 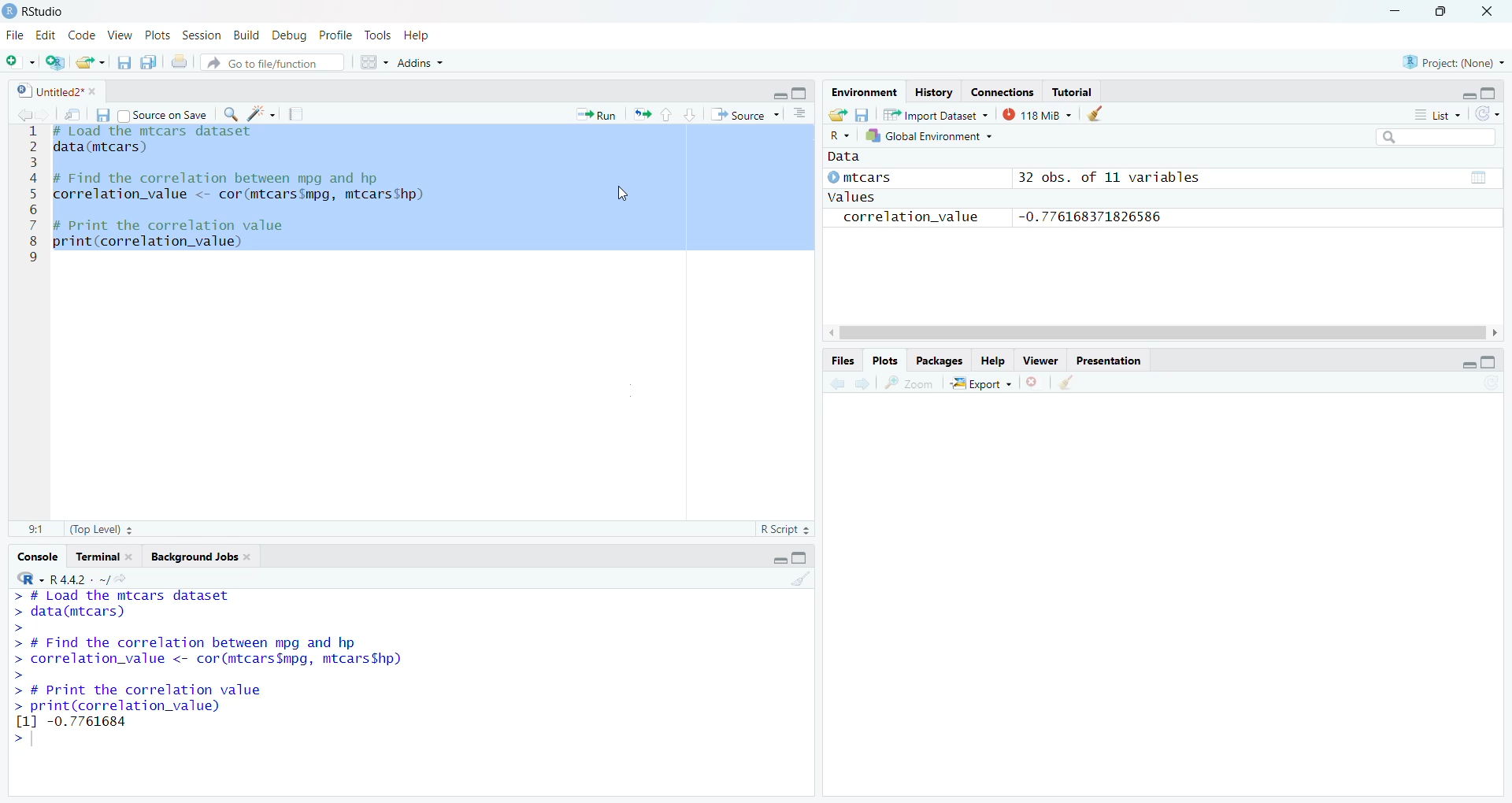 What do you see at coordinates (1108, 359) in the screenshot?
I see `Presentation` at bounding box center [1108, 359].